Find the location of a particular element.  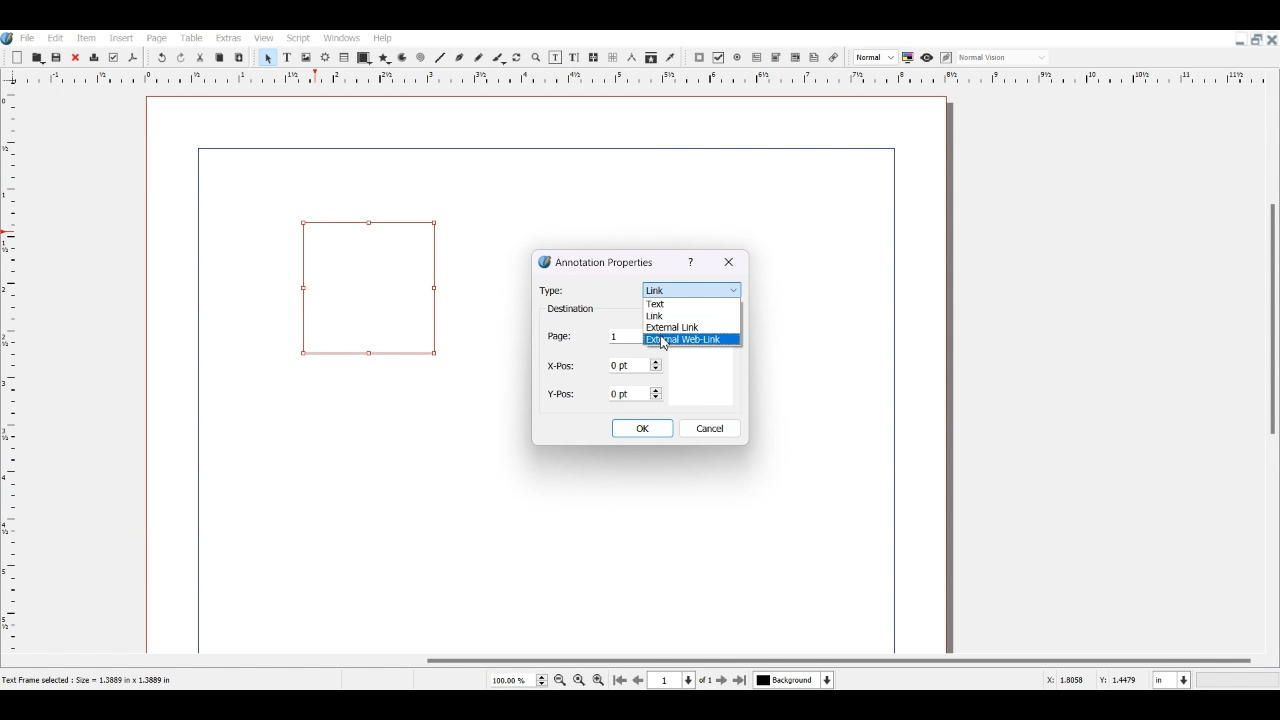

Table is located at coordinates (191, 38).